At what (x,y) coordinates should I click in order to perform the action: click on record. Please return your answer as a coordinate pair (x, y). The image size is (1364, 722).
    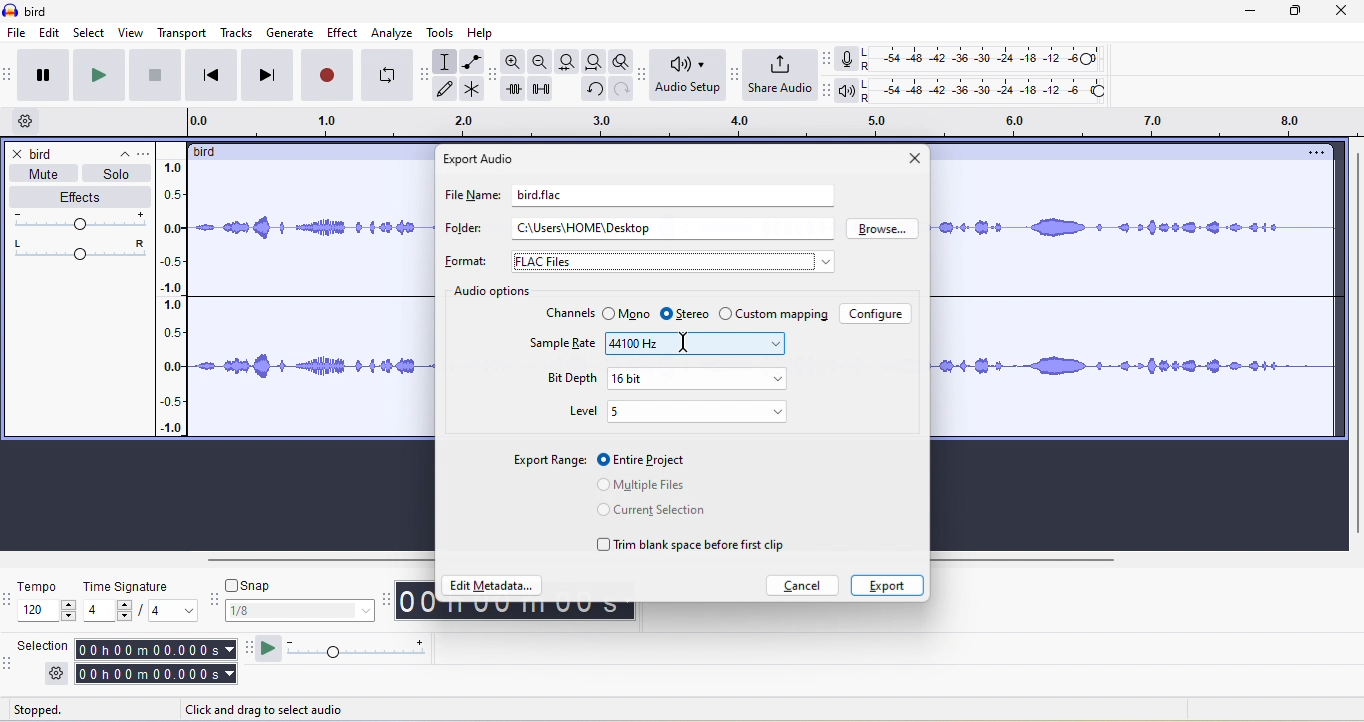
    Looking at the image, I should click on (325, 75).